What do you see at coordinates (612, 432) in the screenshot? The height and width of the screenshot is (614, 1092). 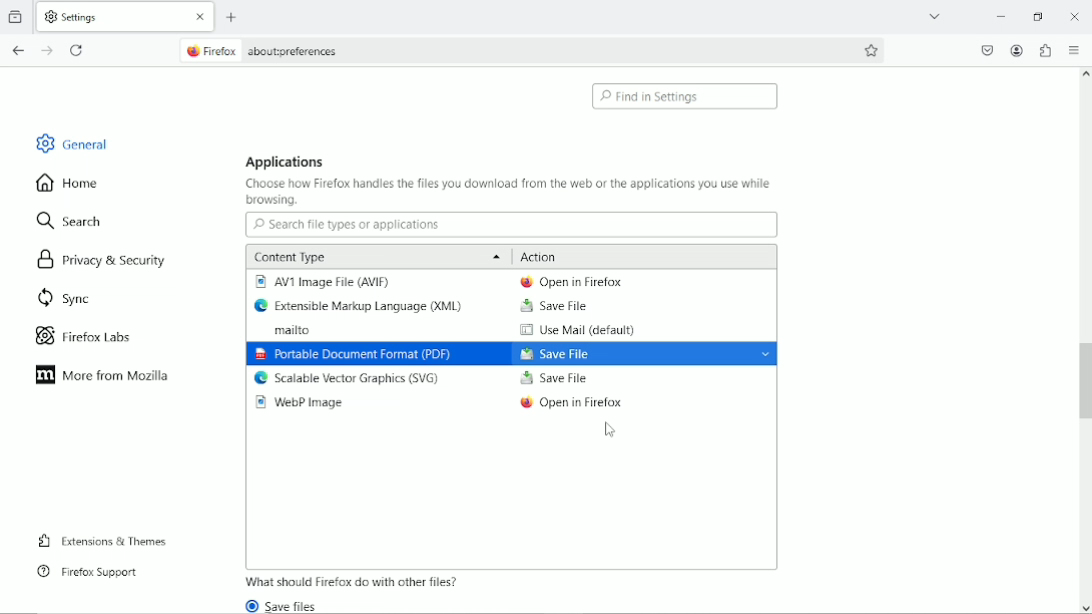 I see `Cursor` at bounding box center [612, 432].